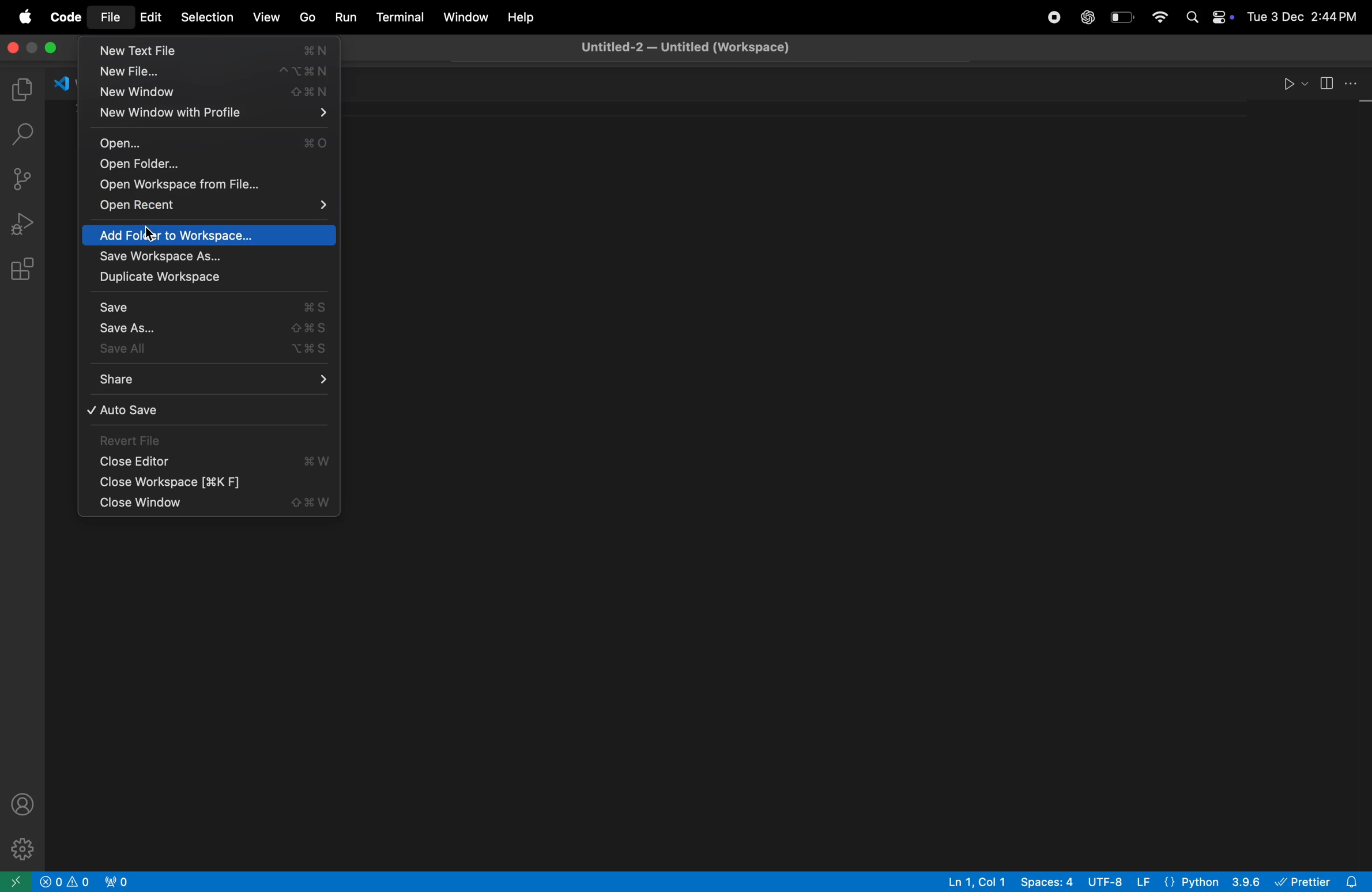  I want to click on view, so click(268, 17).